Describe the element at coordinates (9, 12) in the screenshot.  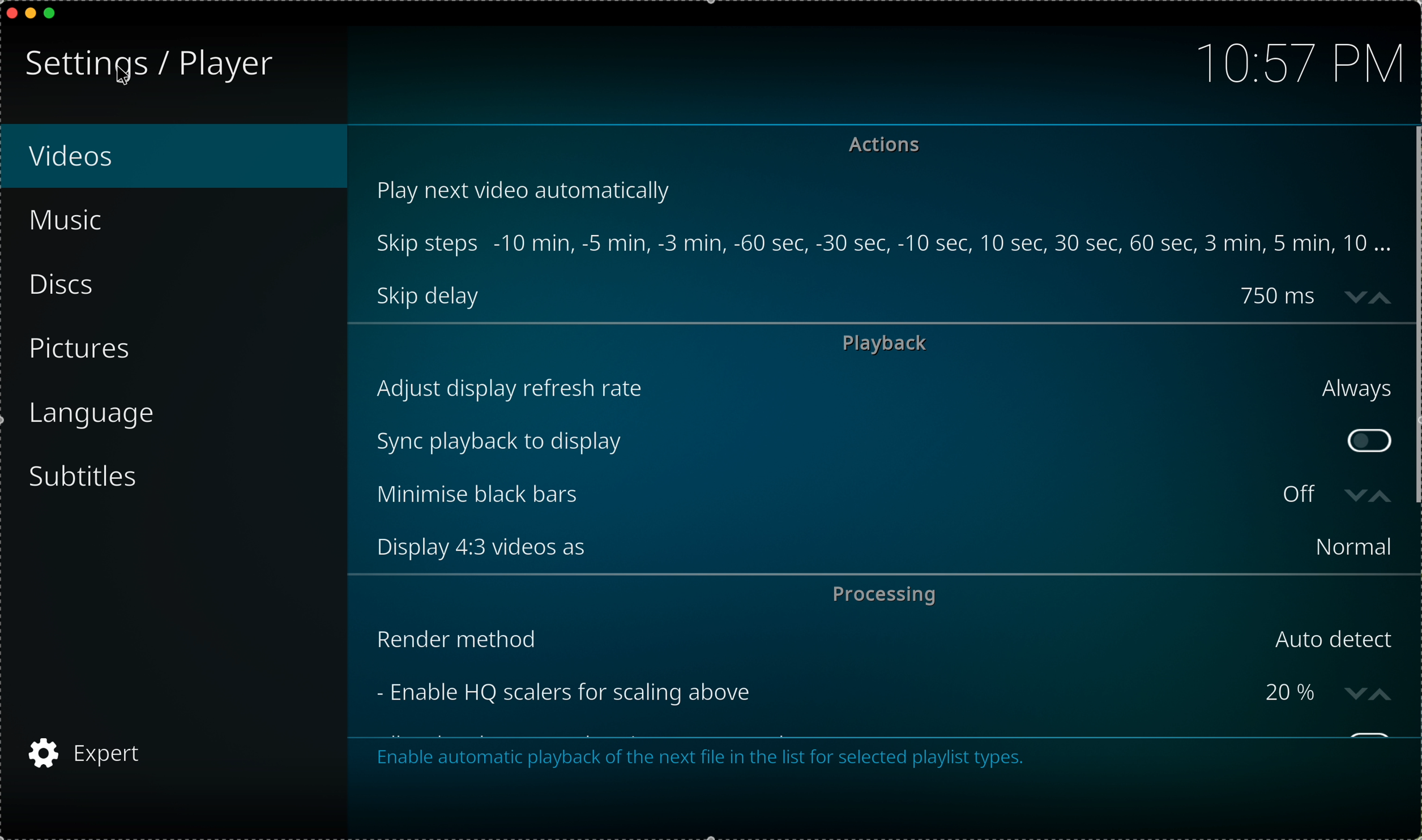
I see `close ` at that location.